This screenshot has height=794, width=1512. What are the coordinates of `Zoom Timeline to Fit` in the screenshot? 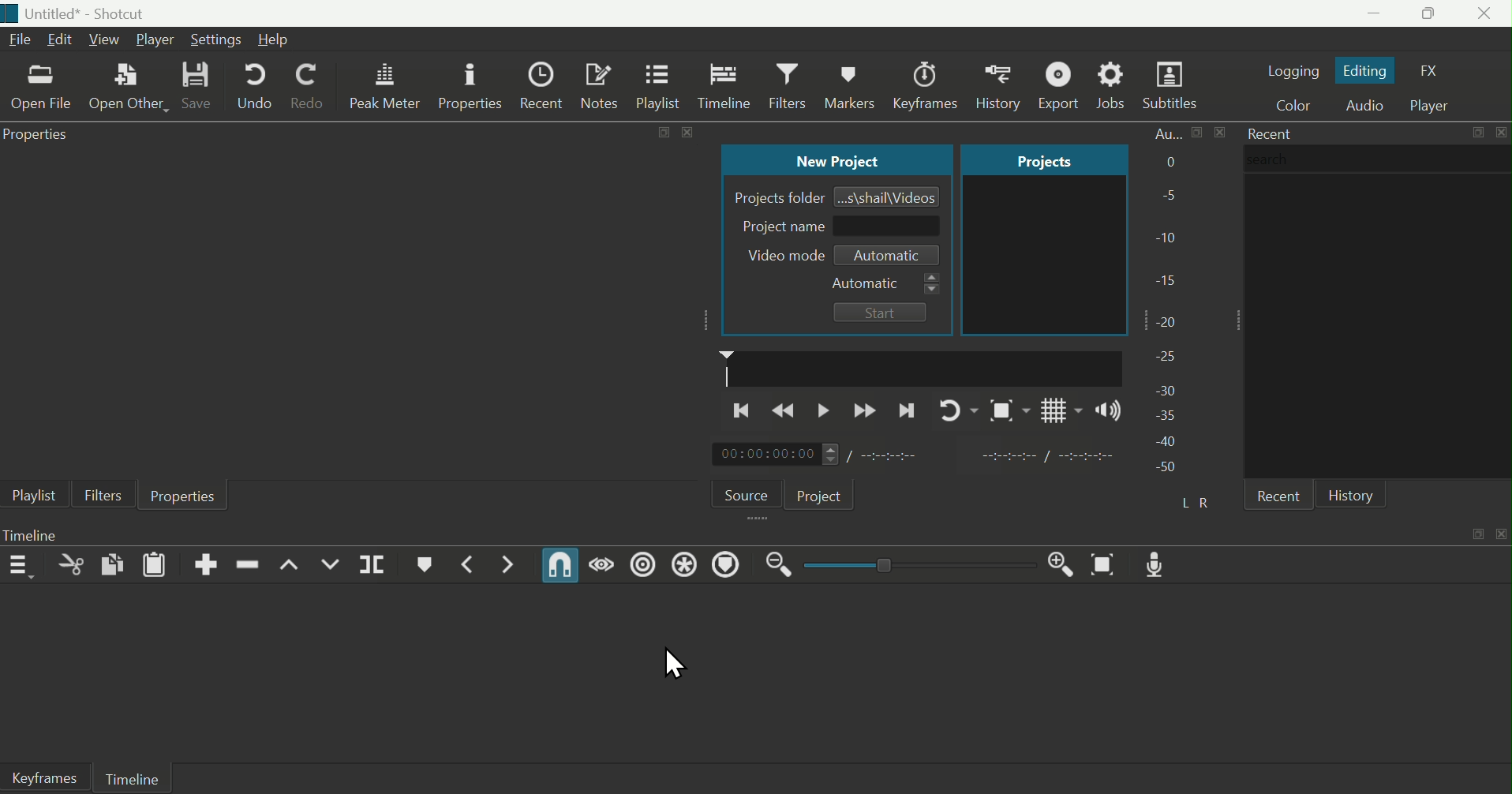 It's located at (1108, 564).